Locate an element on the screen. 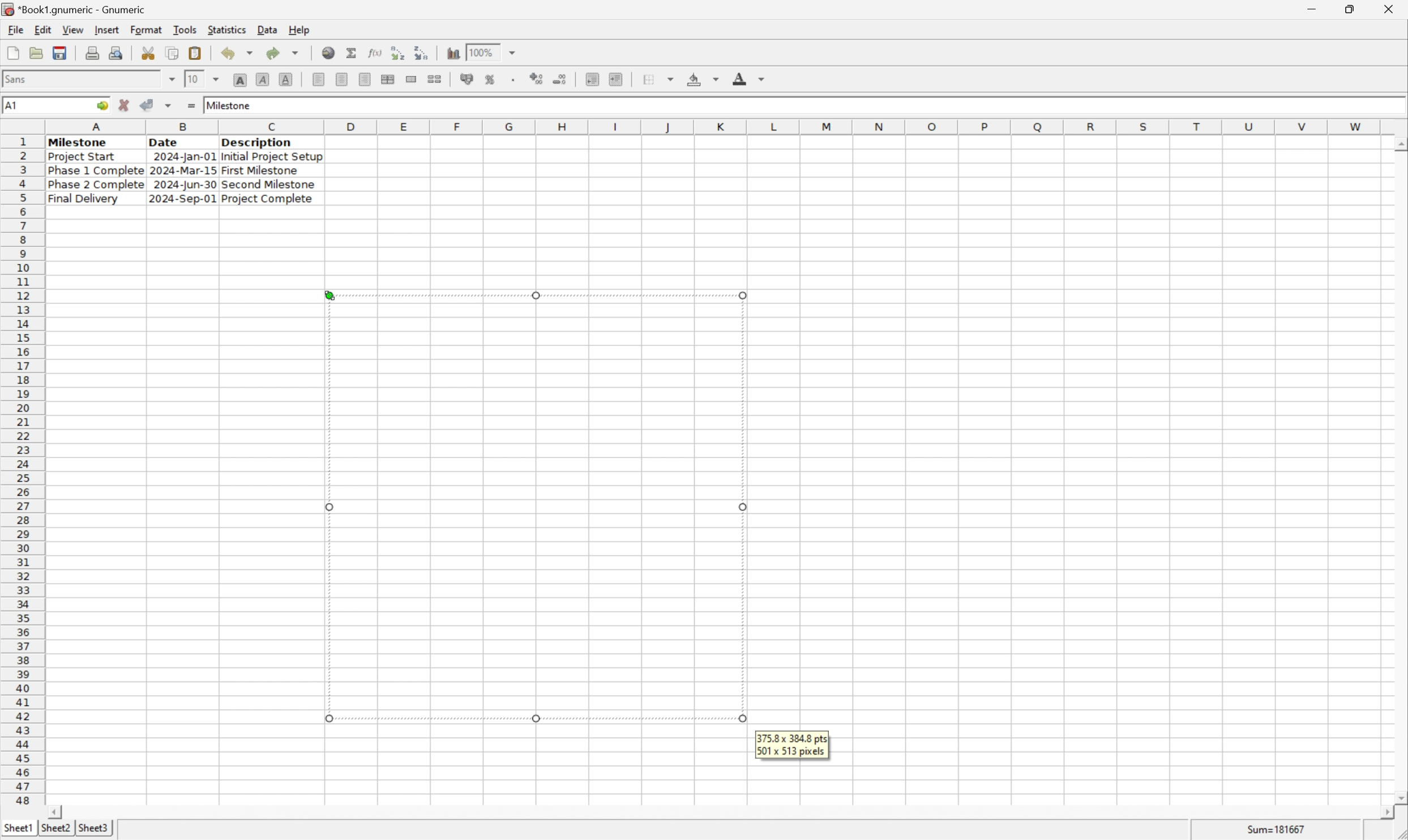 Image resolution: width=1408 pixels, height=840 pixels. align left is located at coordinates (319, 80).